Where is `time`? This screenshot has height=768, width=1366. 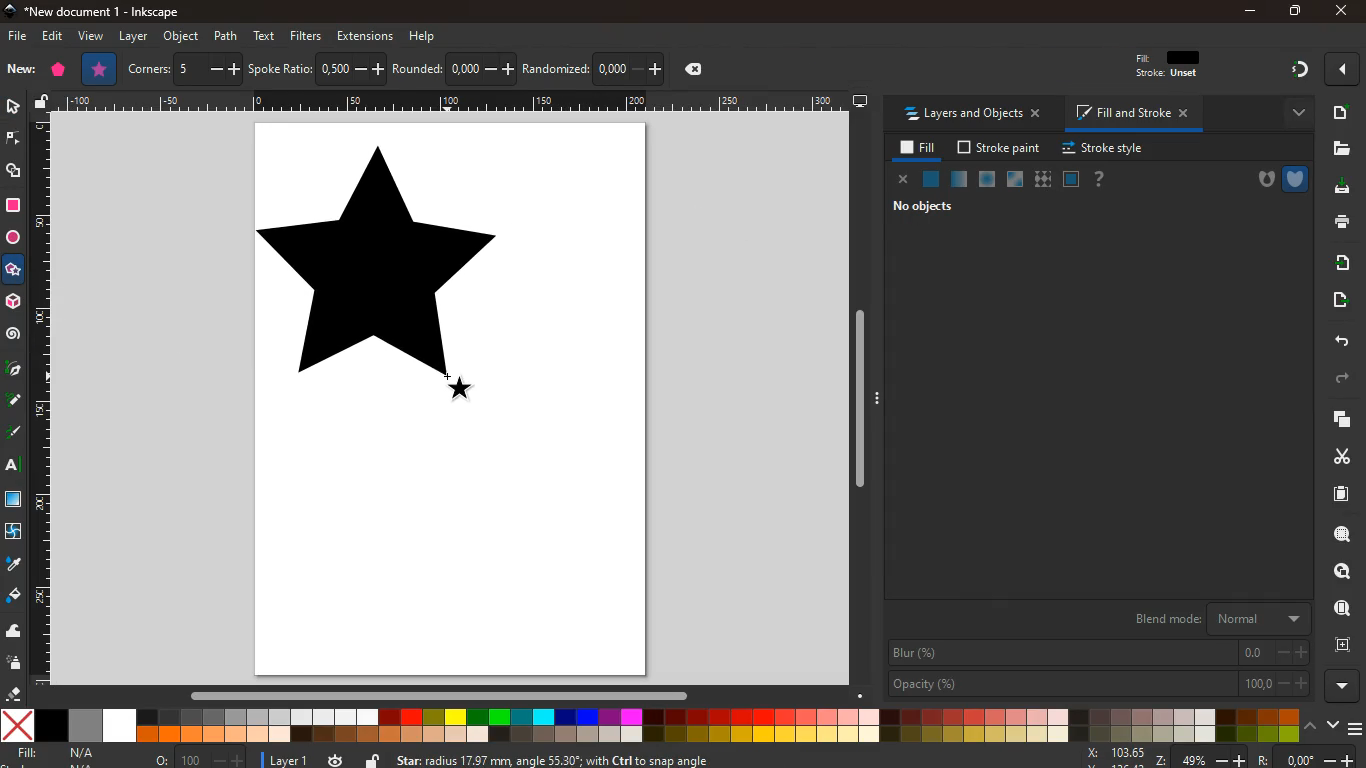
time is located at coordinates (336, 759).